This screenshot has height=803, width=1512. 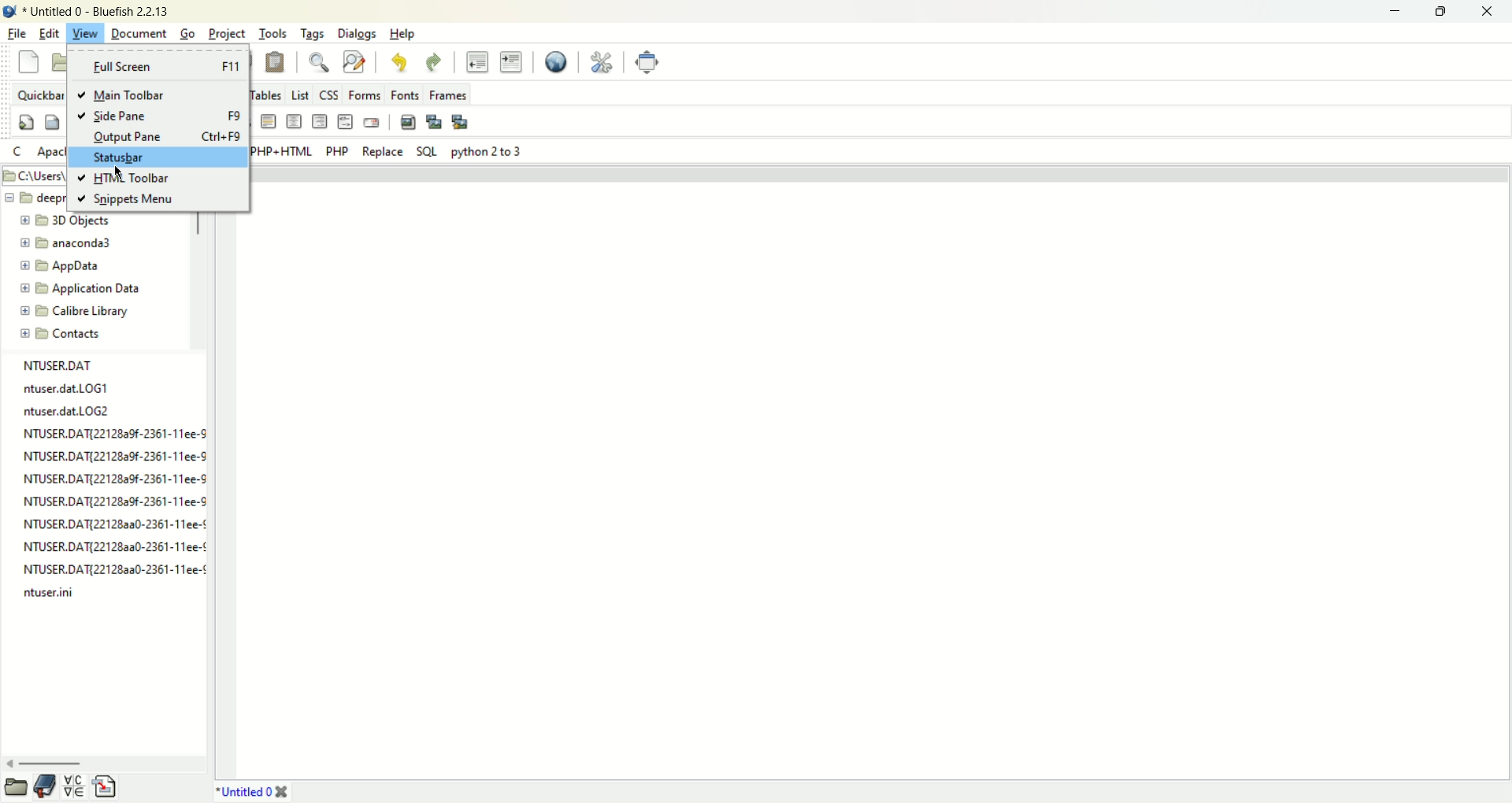 What do you see at coordinates (115, 456) in the screenshot?
I see `NTUSER.DAT{22128a9f-2361-11ee-9` at bounding box center [115, 456].